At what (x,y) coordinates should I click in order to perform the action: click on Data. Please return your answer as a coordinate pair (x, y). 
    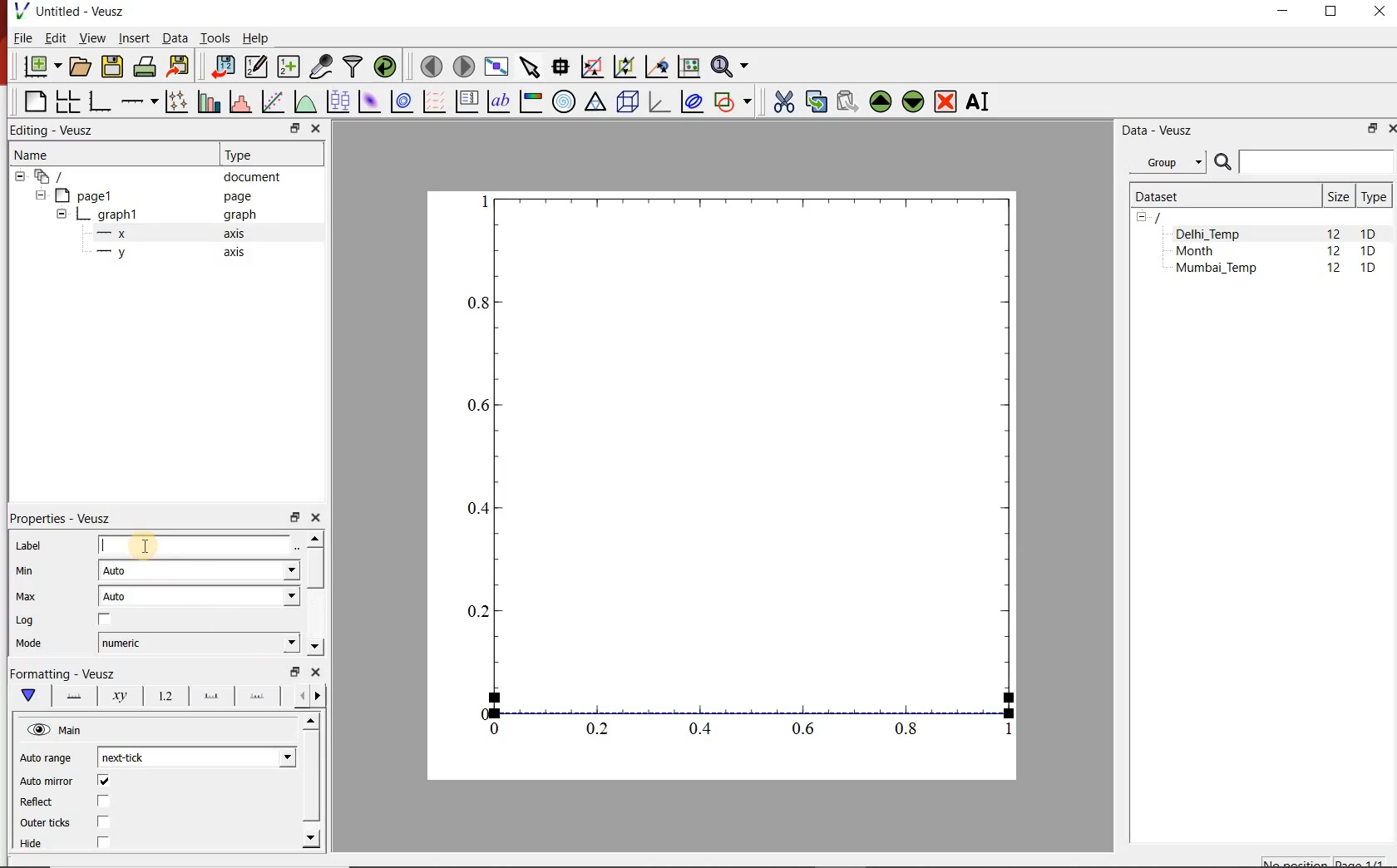
    Looking at the image, I should click on (174, 37).